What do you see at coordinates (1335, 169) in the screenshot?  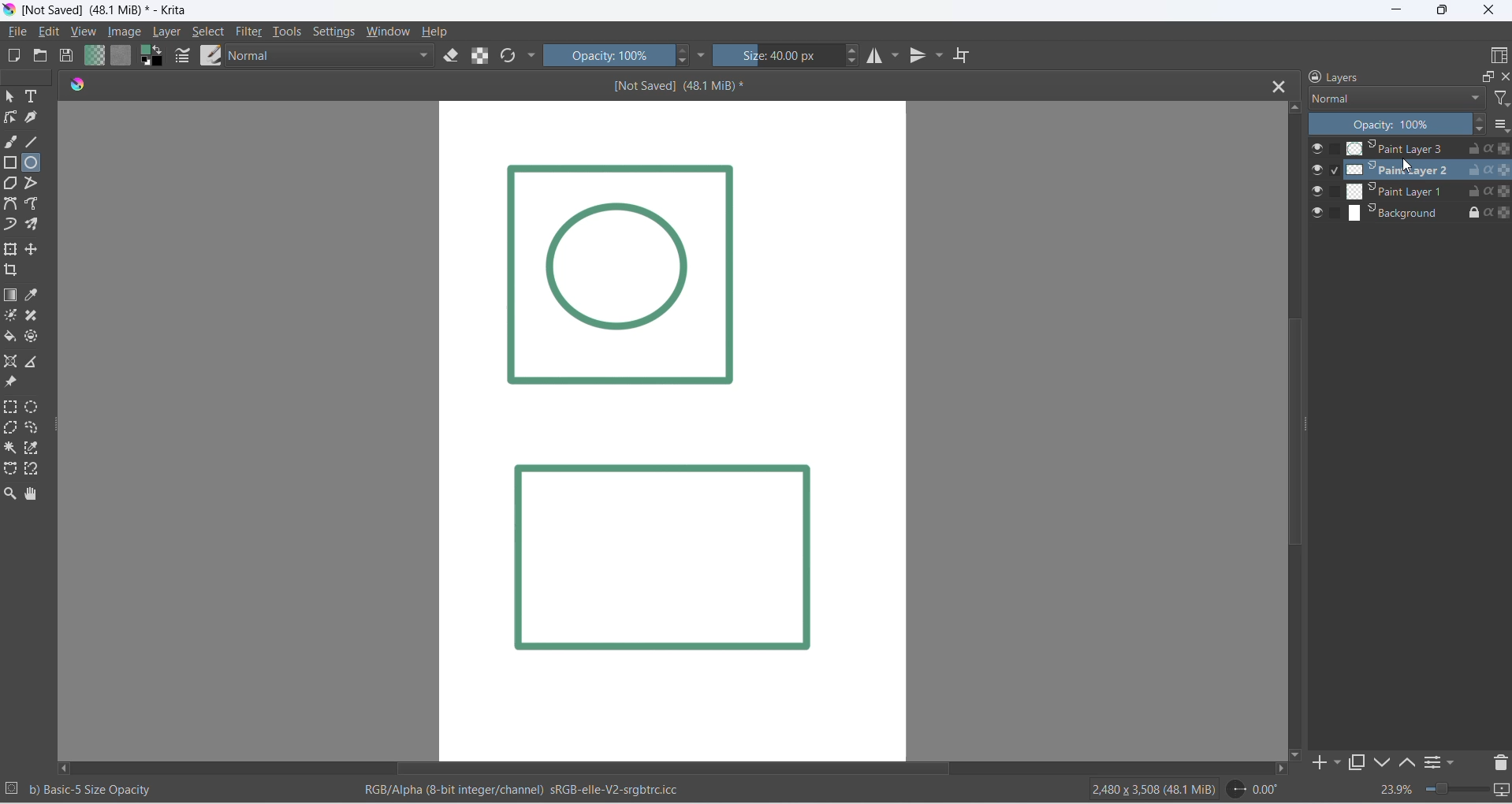 I see `checkbox` at bounding box center [1335, 169].